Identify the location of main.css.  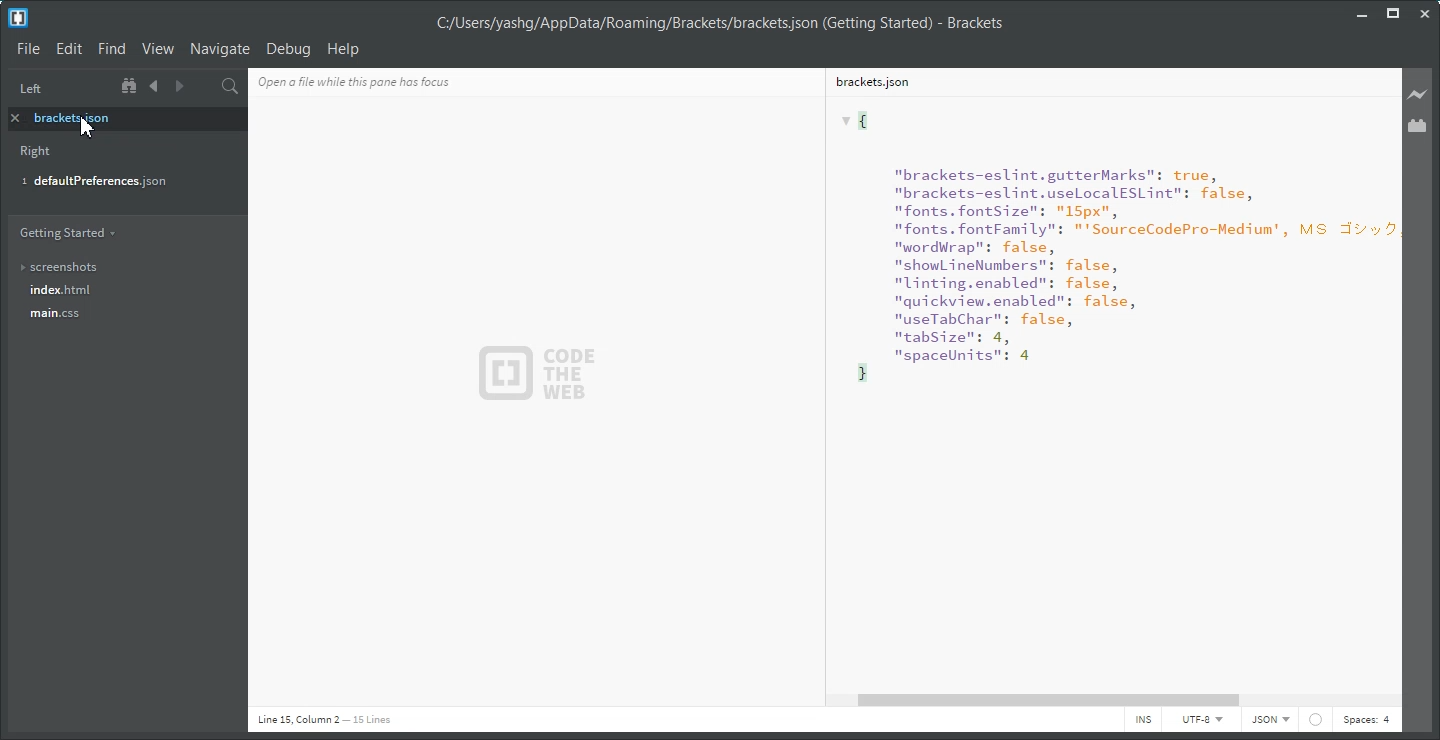
(121, 319).